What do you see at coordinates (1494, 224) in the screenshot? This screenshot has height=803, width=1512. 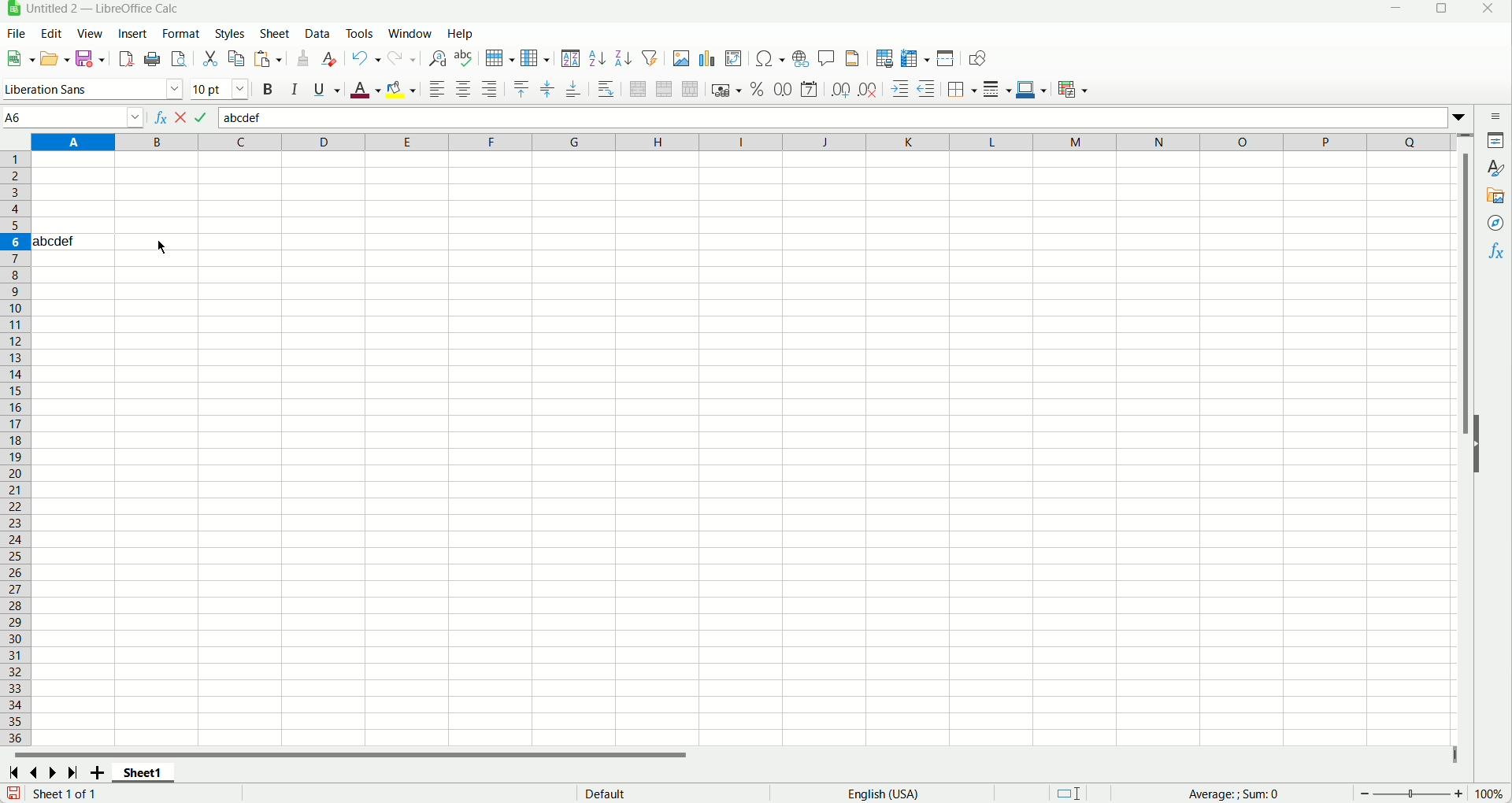 I see `navigator` at bounding box center [1494, 224].